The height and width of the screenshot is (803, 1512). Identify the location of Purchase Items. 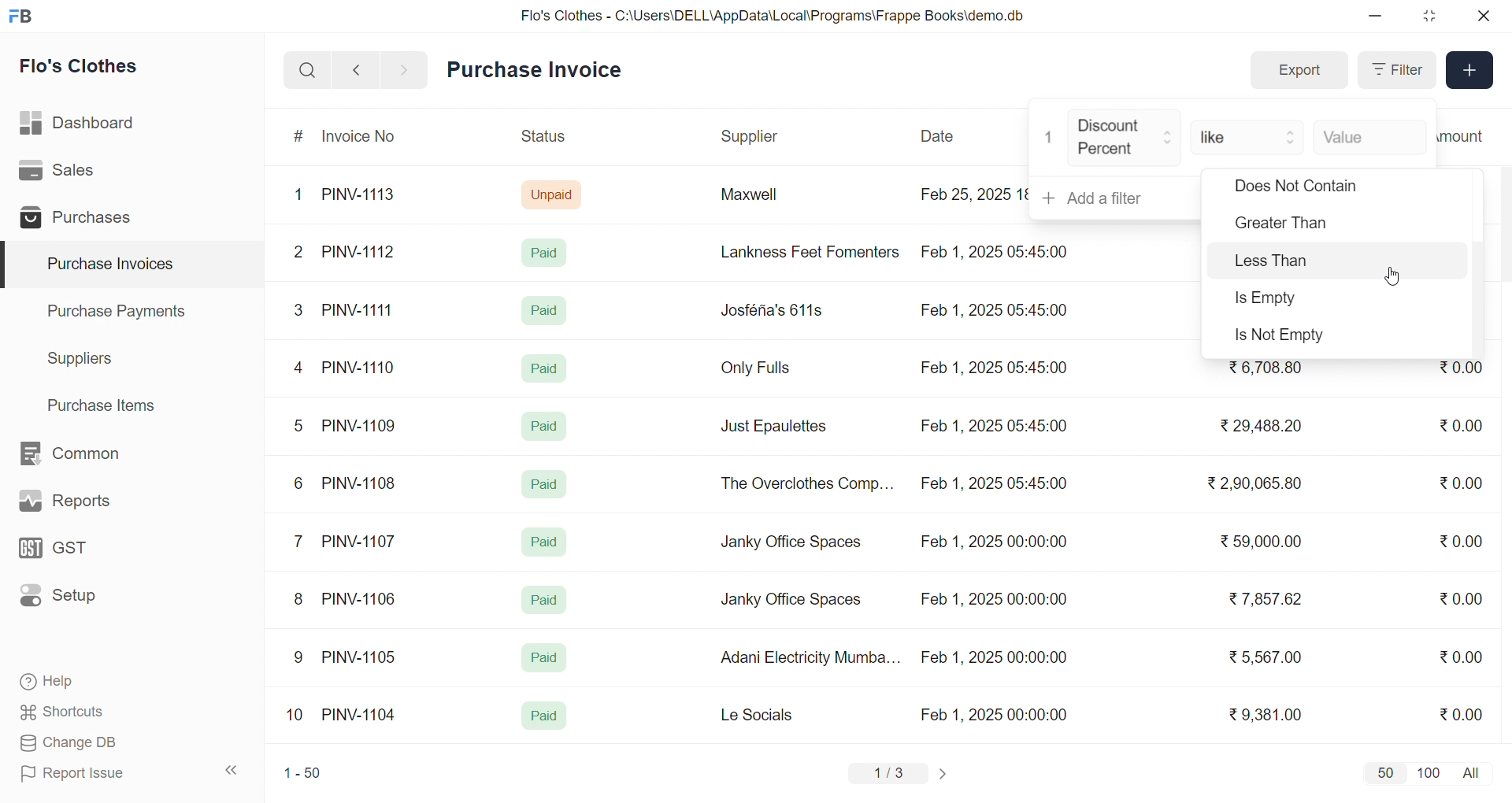
(107, 403).